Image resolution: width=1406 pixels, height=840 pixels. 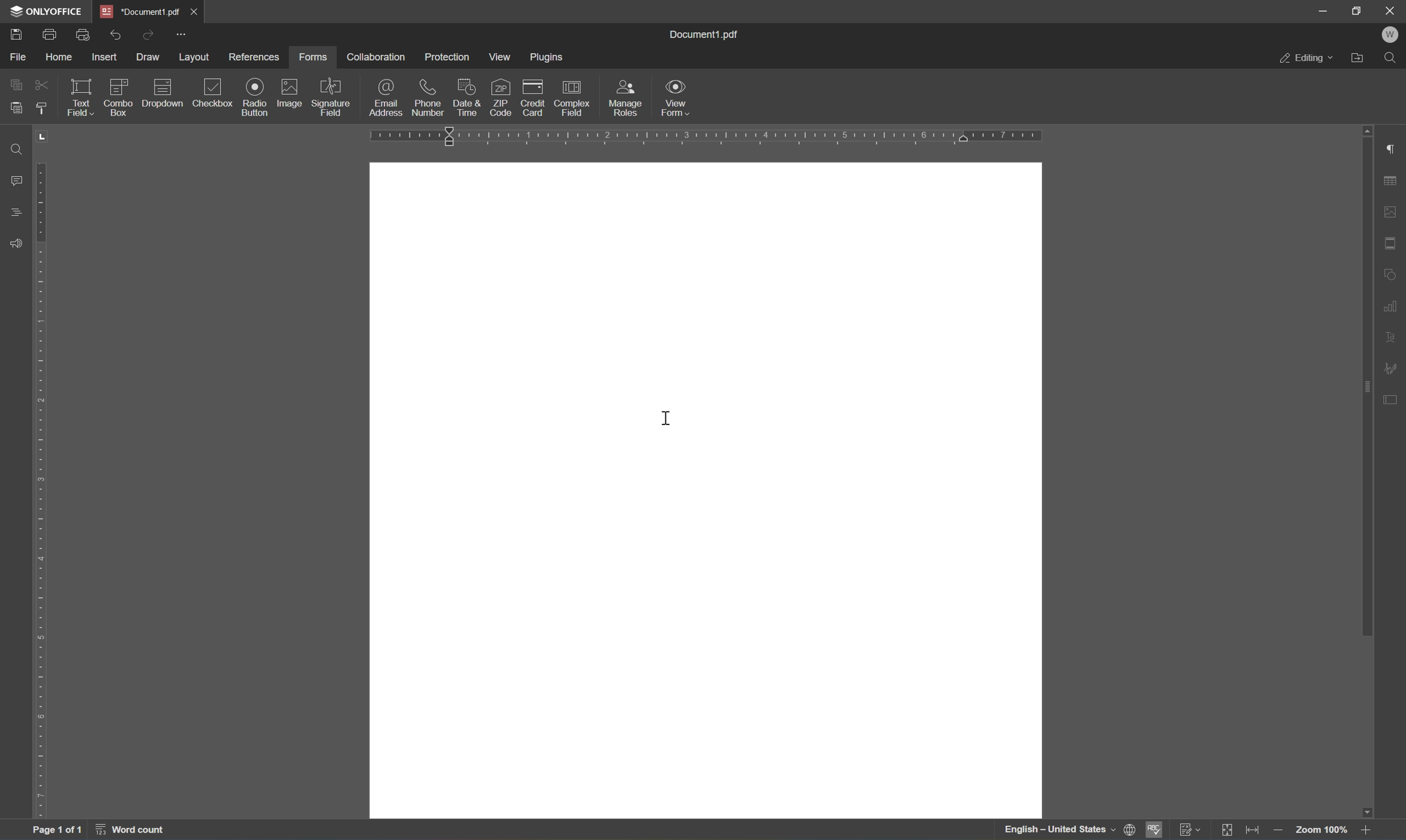 What do you see at coordinates (1367, 128) in the screenshot?
I see `scroll up` at bounding box center [1367, 128].